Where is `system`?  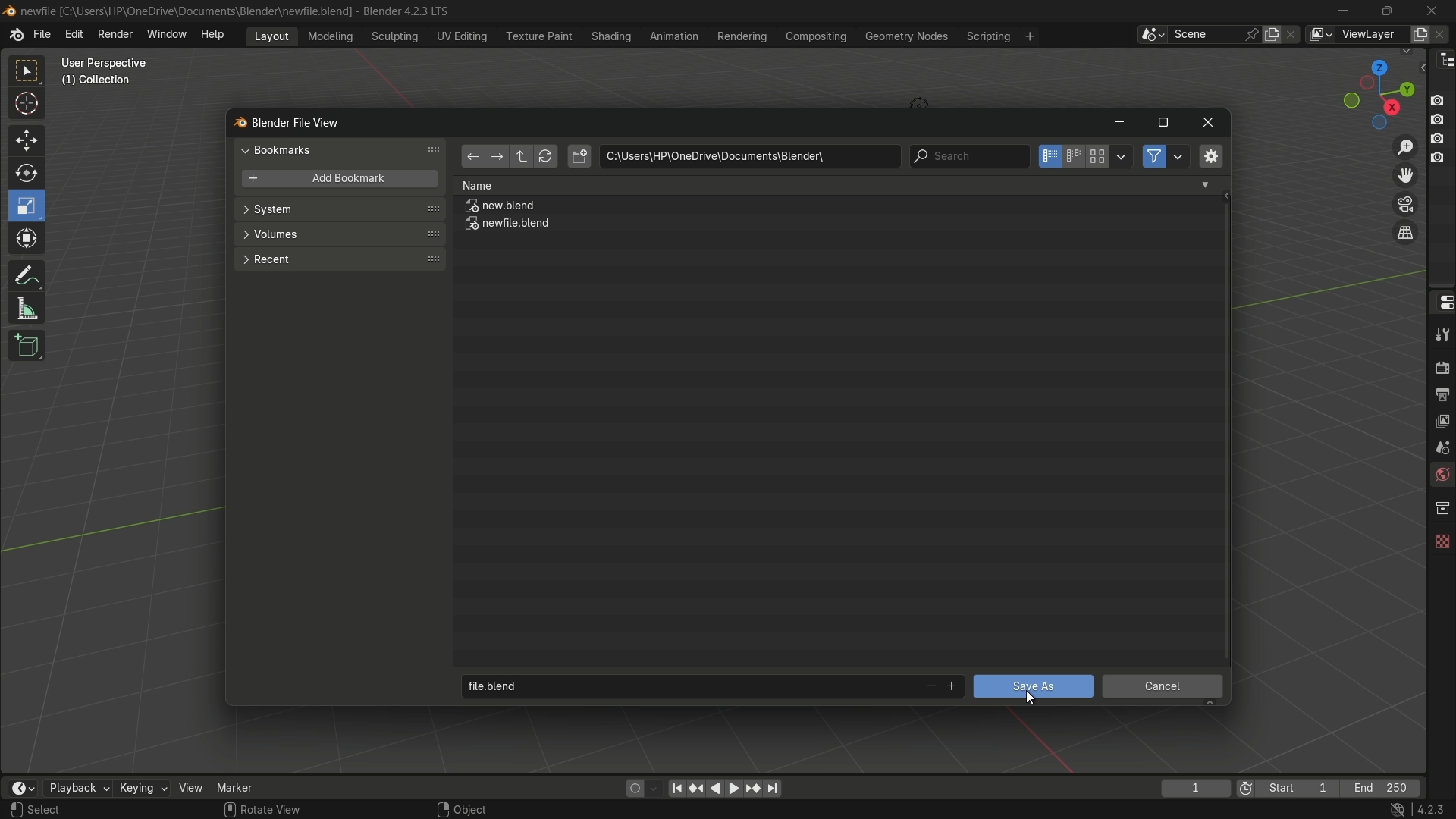
system is located at coordinates (340, 211).